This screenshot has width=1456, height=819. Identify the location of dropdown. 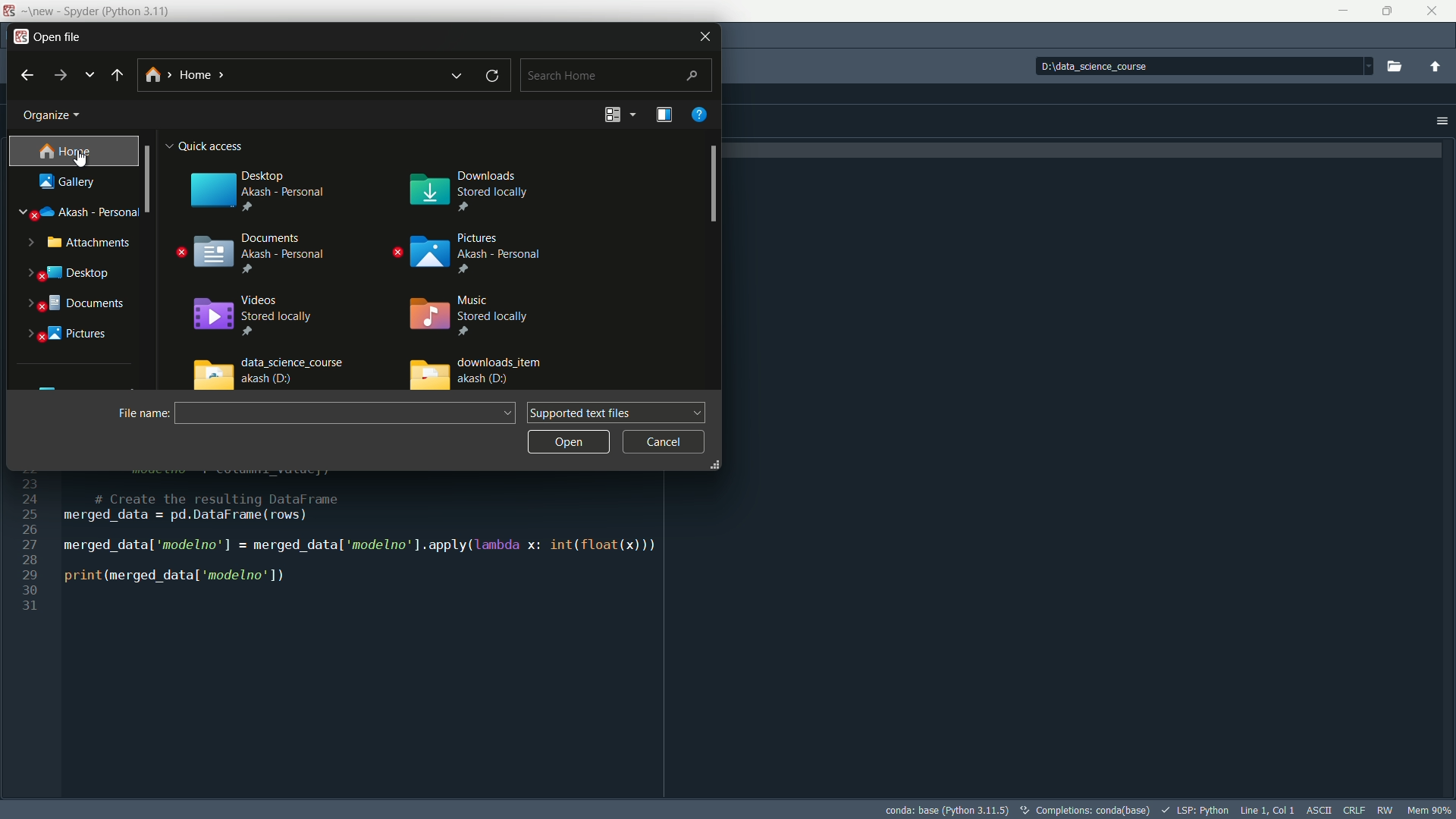
(510, 413).